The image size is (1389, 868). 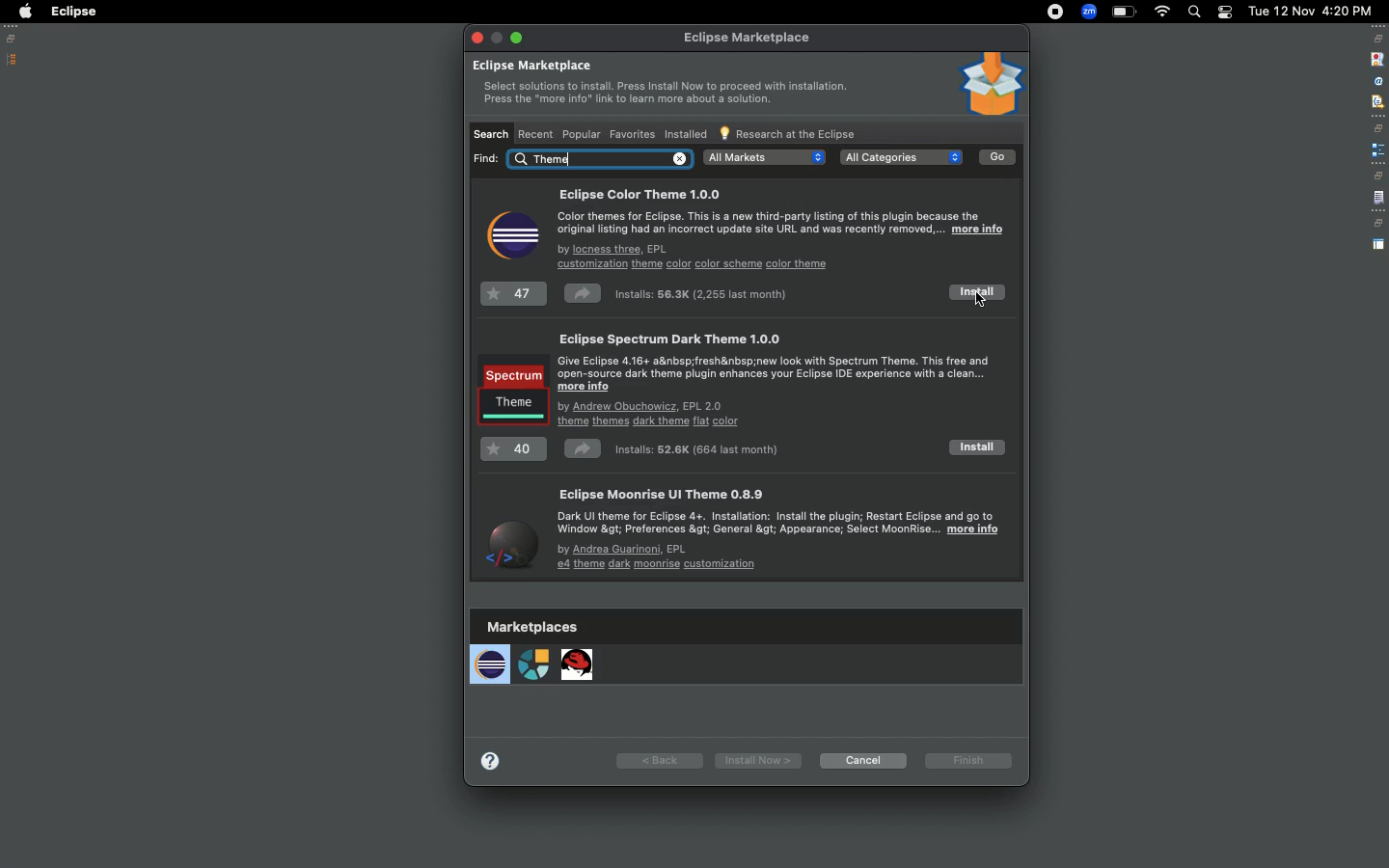 I want to click on Eclipse spectrum dark themes , so click(x=777, y=380).